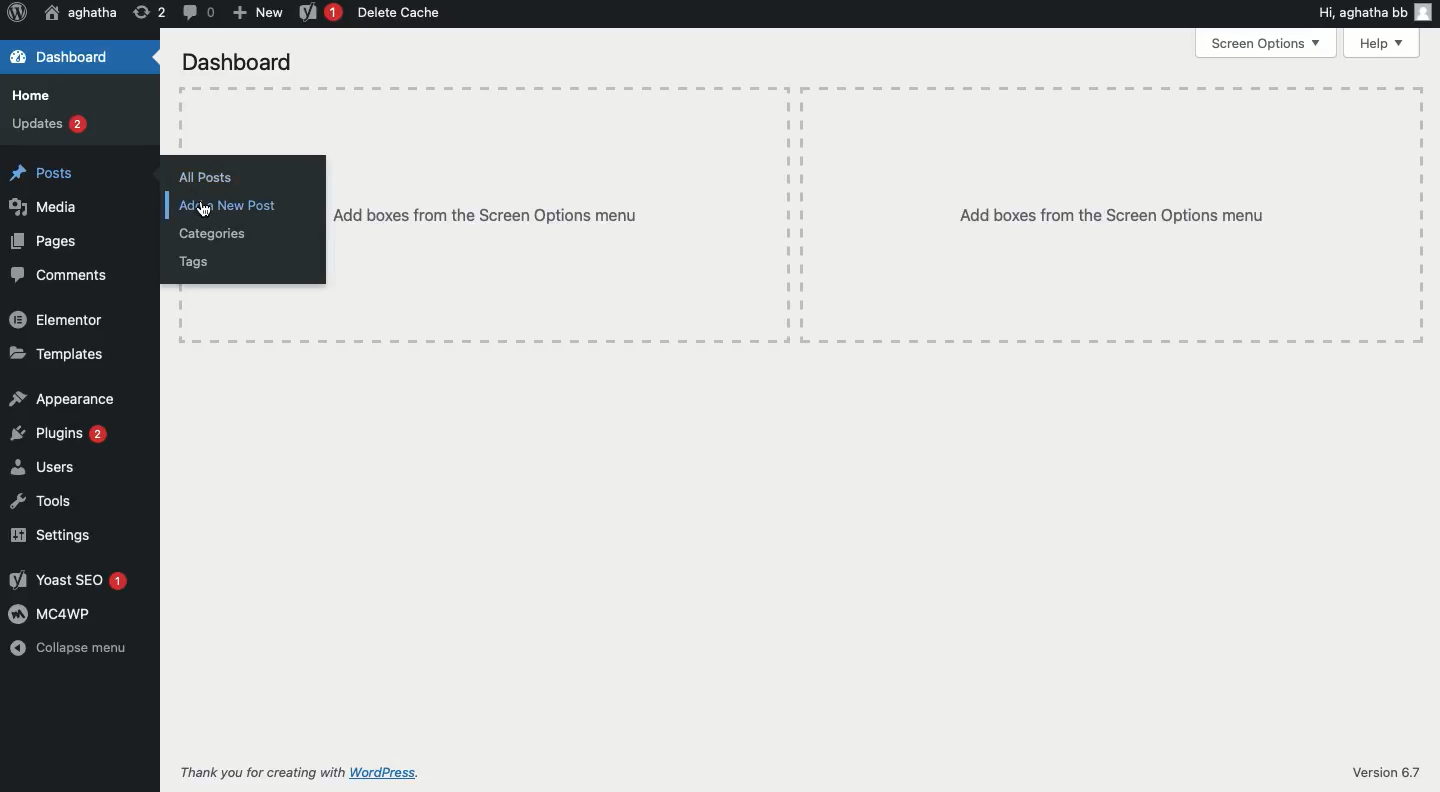 Image resolution: width=1440 pixels, height=792 pixels. Describe the element at coordinates (233, 206) in the screenshot. I see `Add new post` at that location.